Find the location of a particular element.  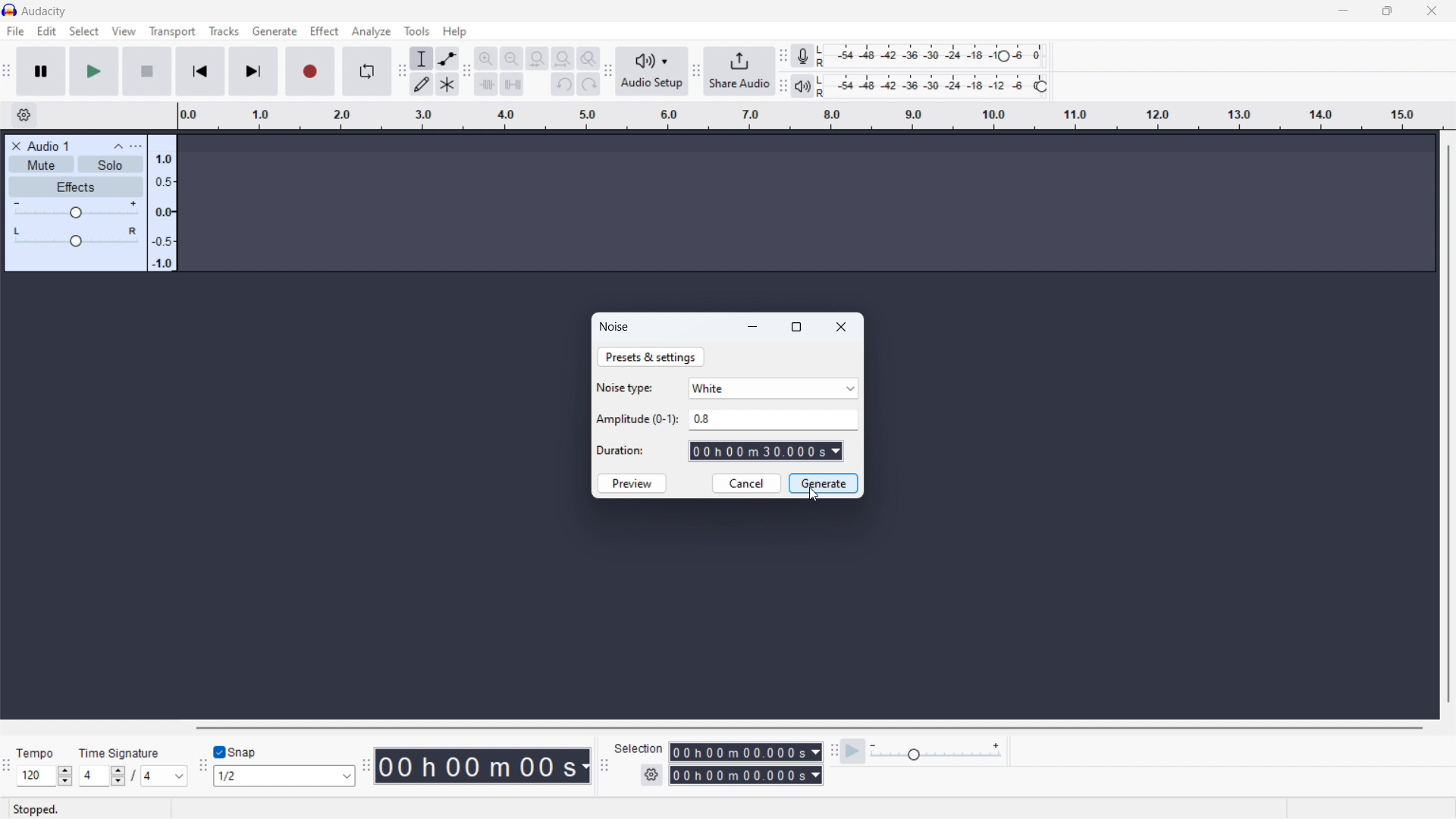

file is located at coordinates (14, 31).